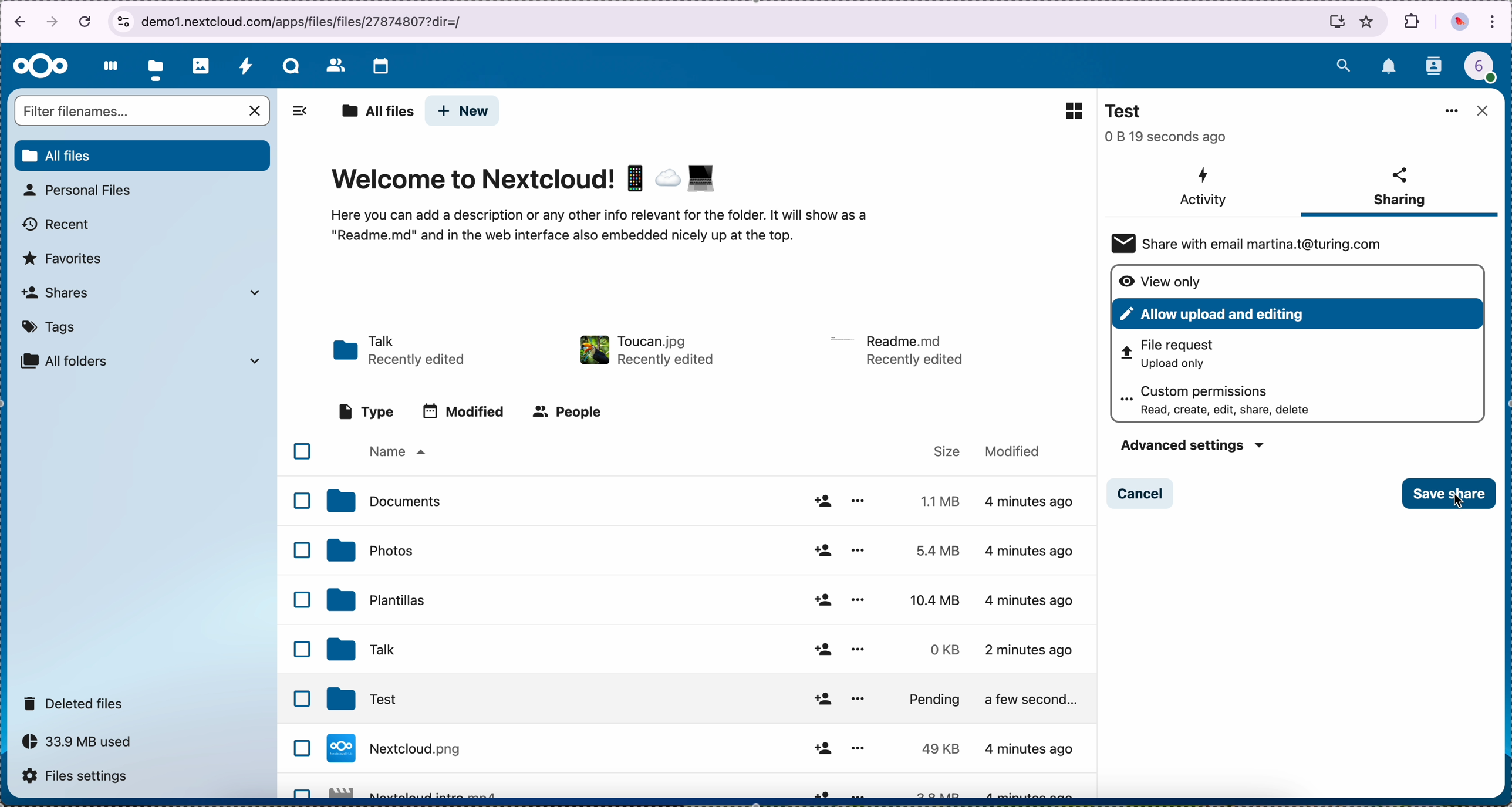 Image resolution: width=1512 pixels, height=807 pixels. What do you see at coordinates (1163, 281) in the screenshot?
I see `view only` at bounding box center [1163, 281].